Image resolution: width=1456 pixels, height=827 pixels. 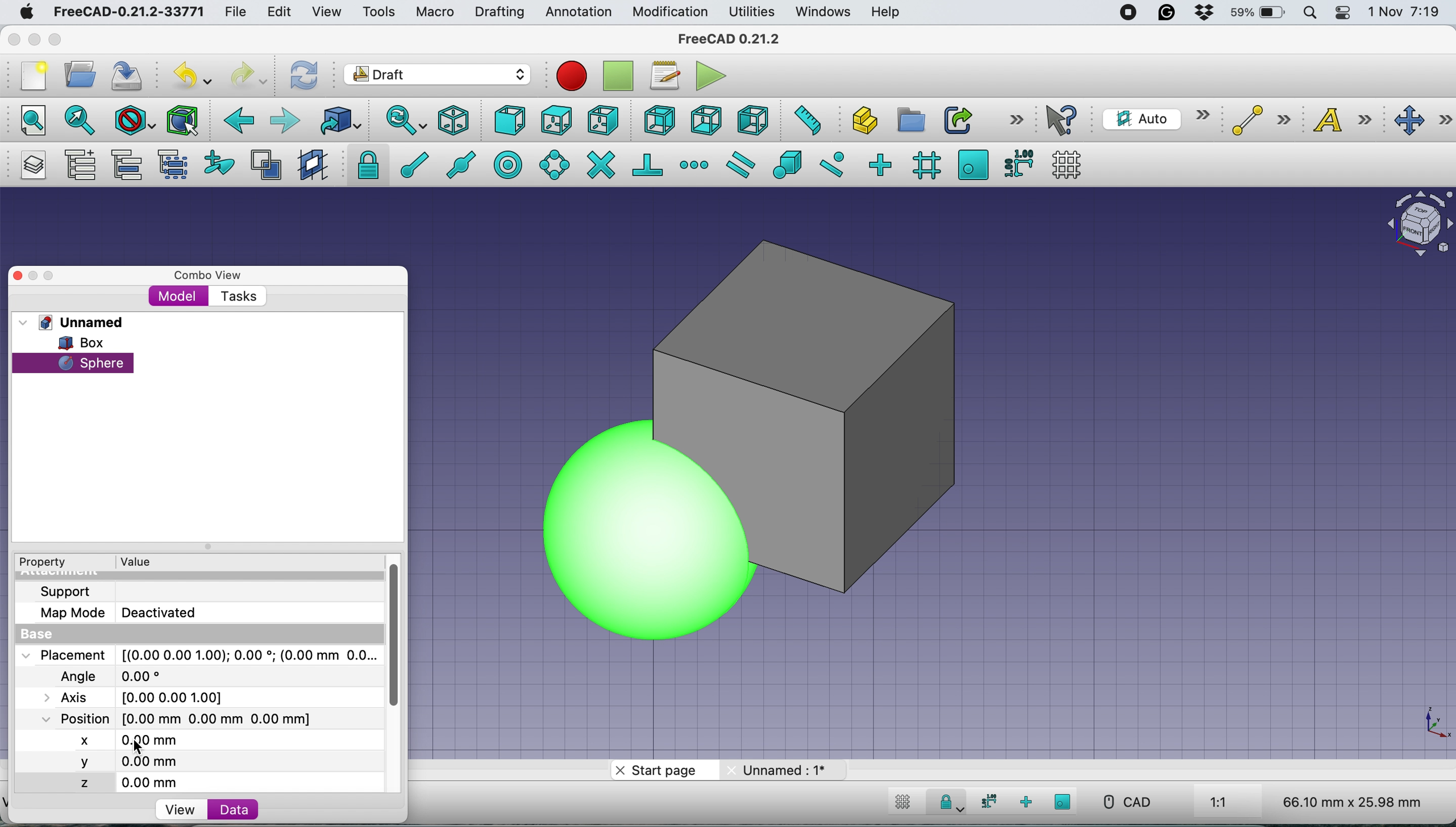 I want to click on snap lock, so click(x=364, y=164).